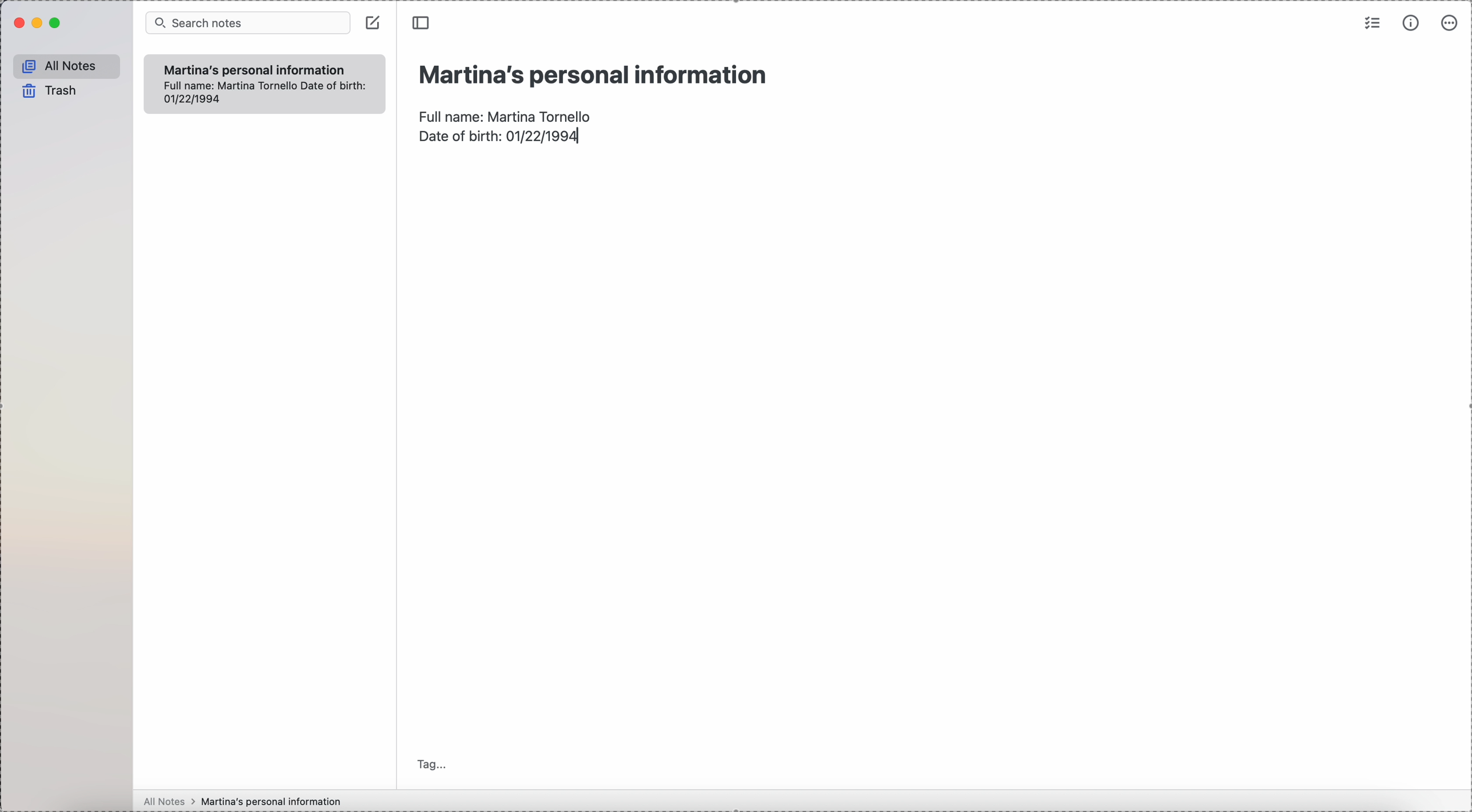 This screenshot has height=812, width=1472. Describe the element at coordinates (1413, 23) in the screenshot. I see `metrics` at that location.